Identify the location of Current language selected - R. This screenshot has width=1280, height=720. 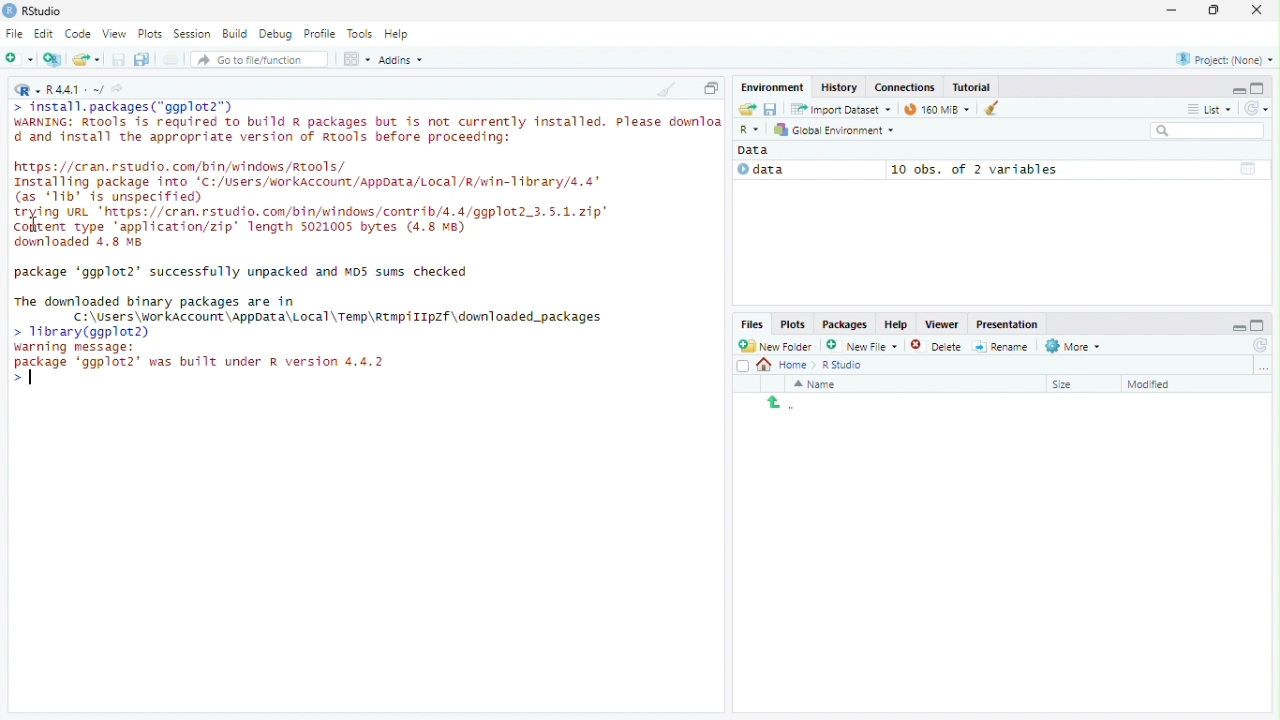
(25, 89).